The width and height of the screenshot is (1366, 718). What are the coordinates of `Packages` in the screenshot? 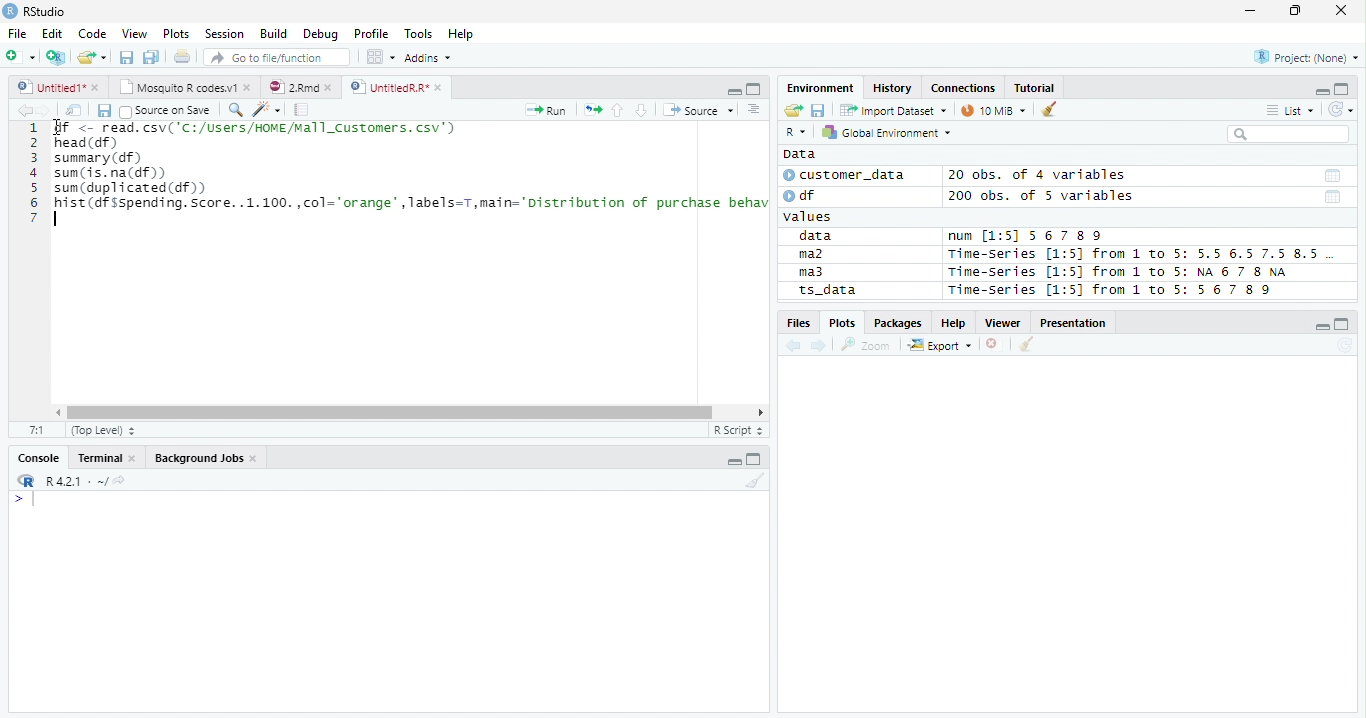 It's located at (897, 324).